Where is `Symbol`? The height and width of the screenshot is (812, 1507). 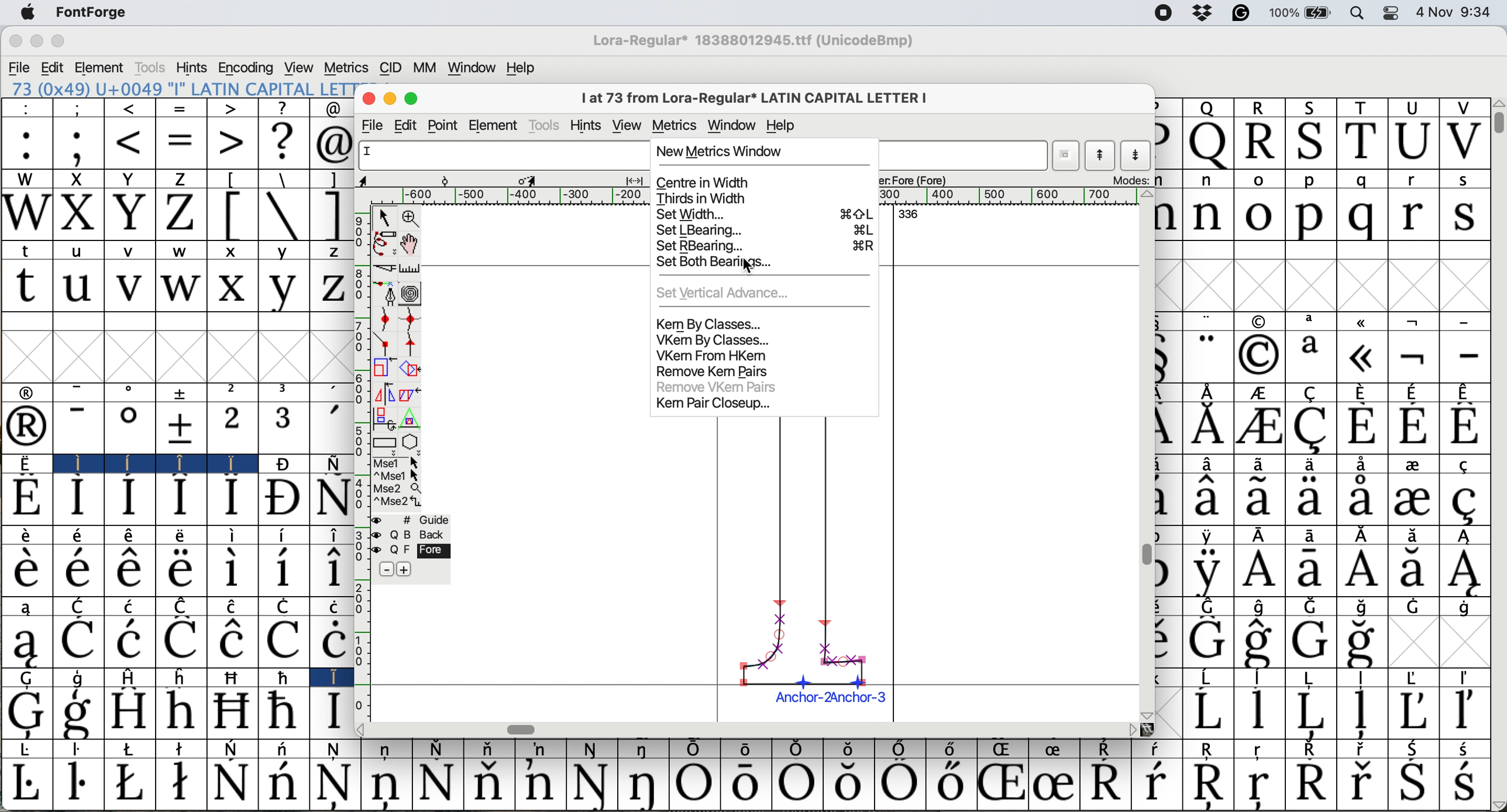
Symbol is located at coordinates (1309, 465).